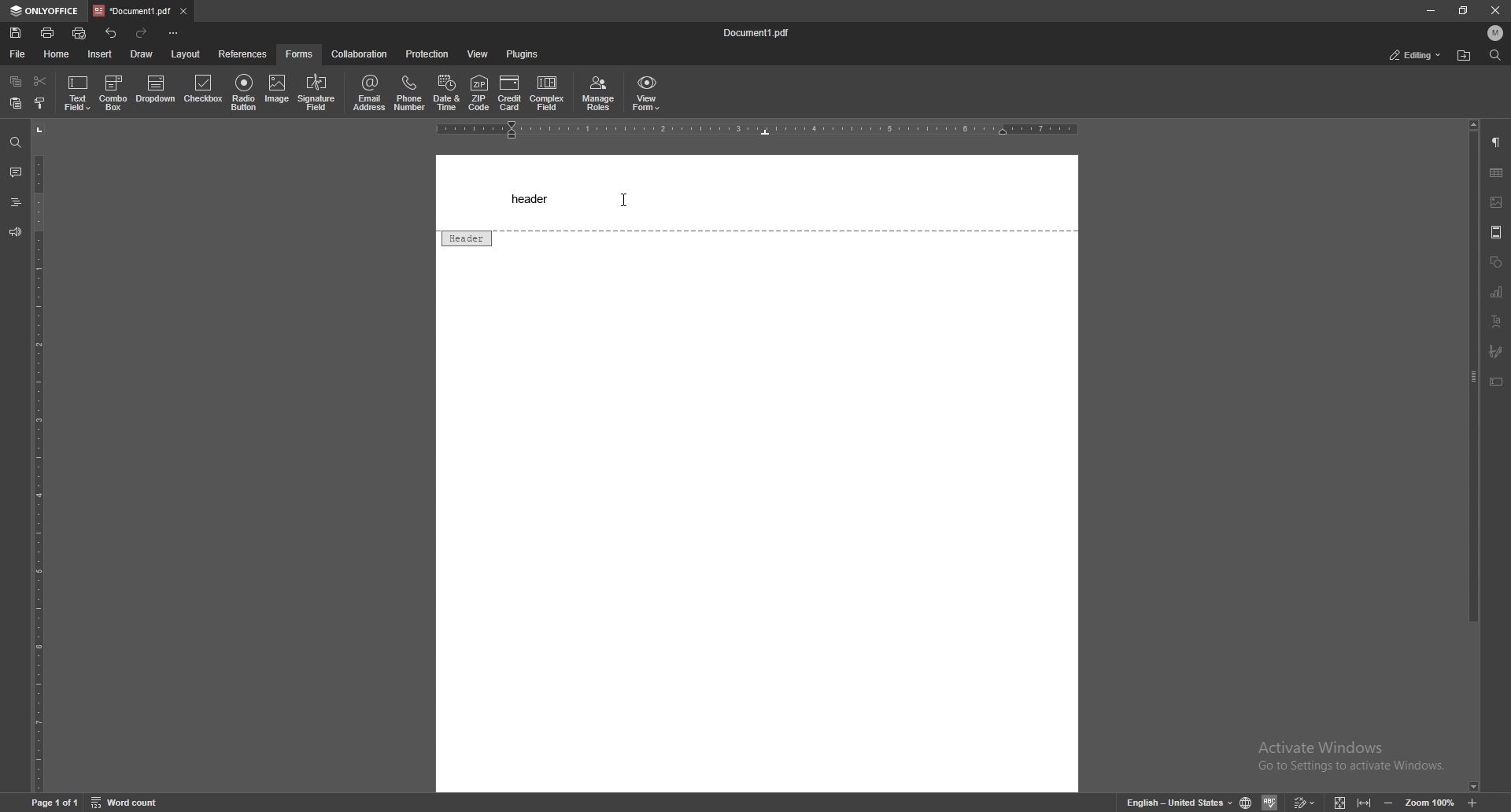 The image size is (1511, 812). Describe the element at coordinates (317, 93) in the screenshot. I see `signature field` at that location.